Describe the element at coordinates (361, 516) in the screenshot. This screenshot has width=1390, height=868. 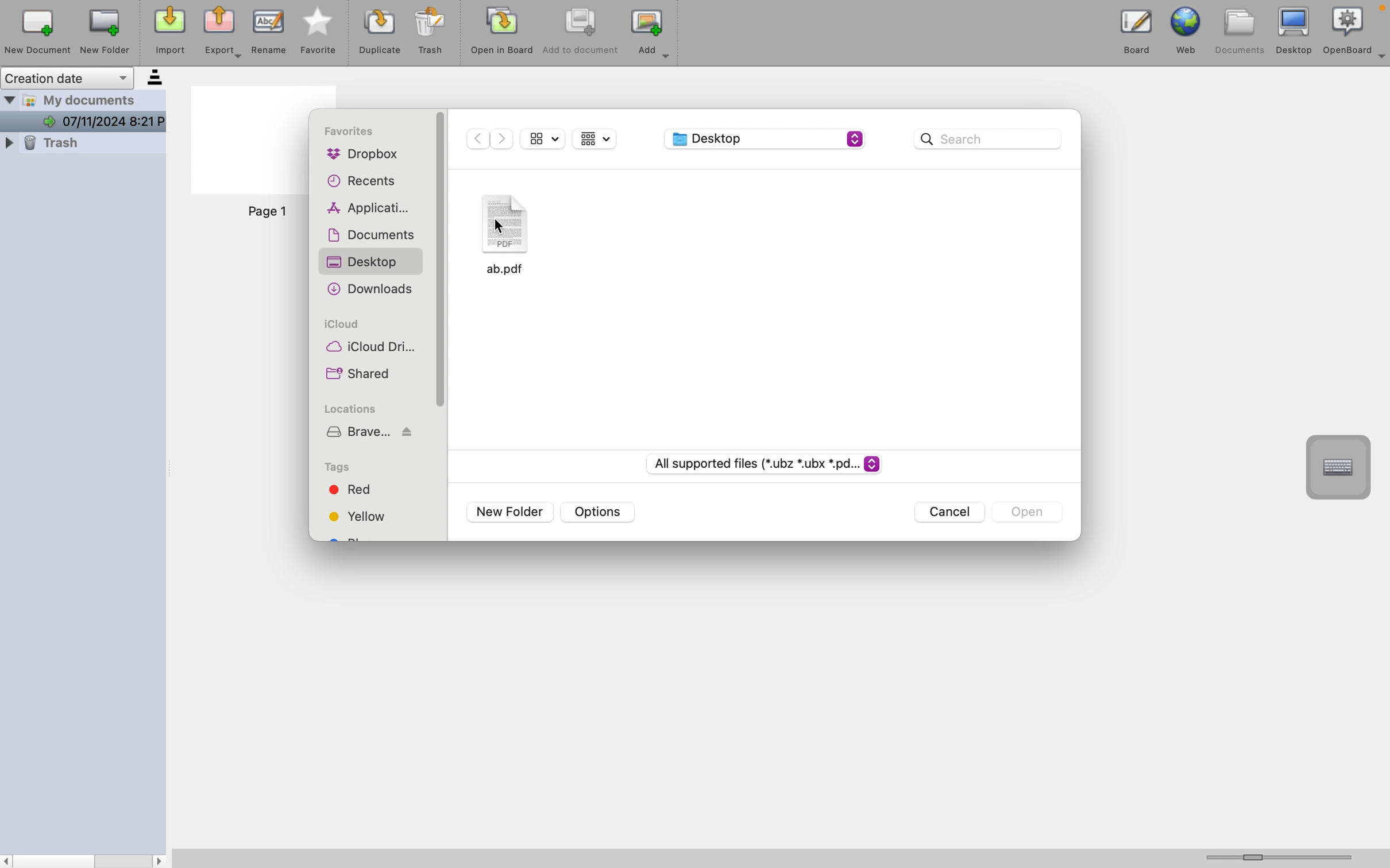
I see `yellow` at that location.